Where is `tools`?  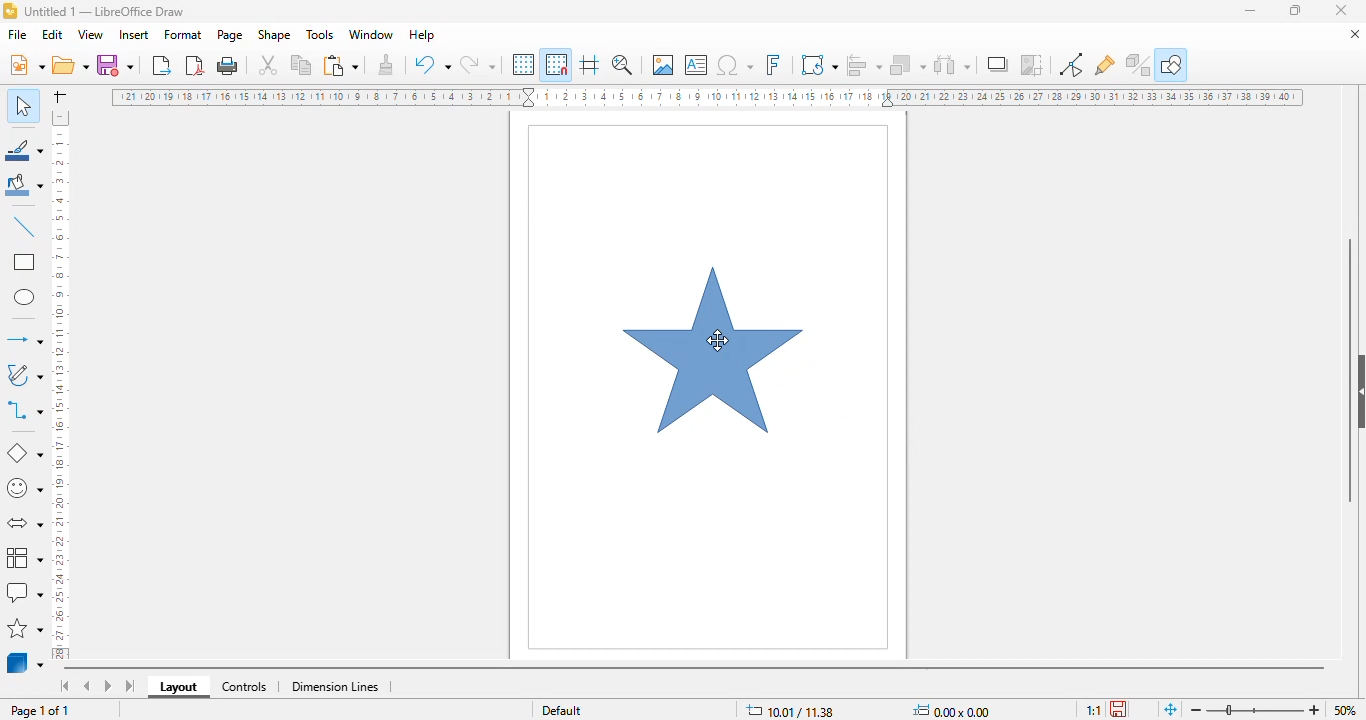 tools is located at coordinates (320, 35).